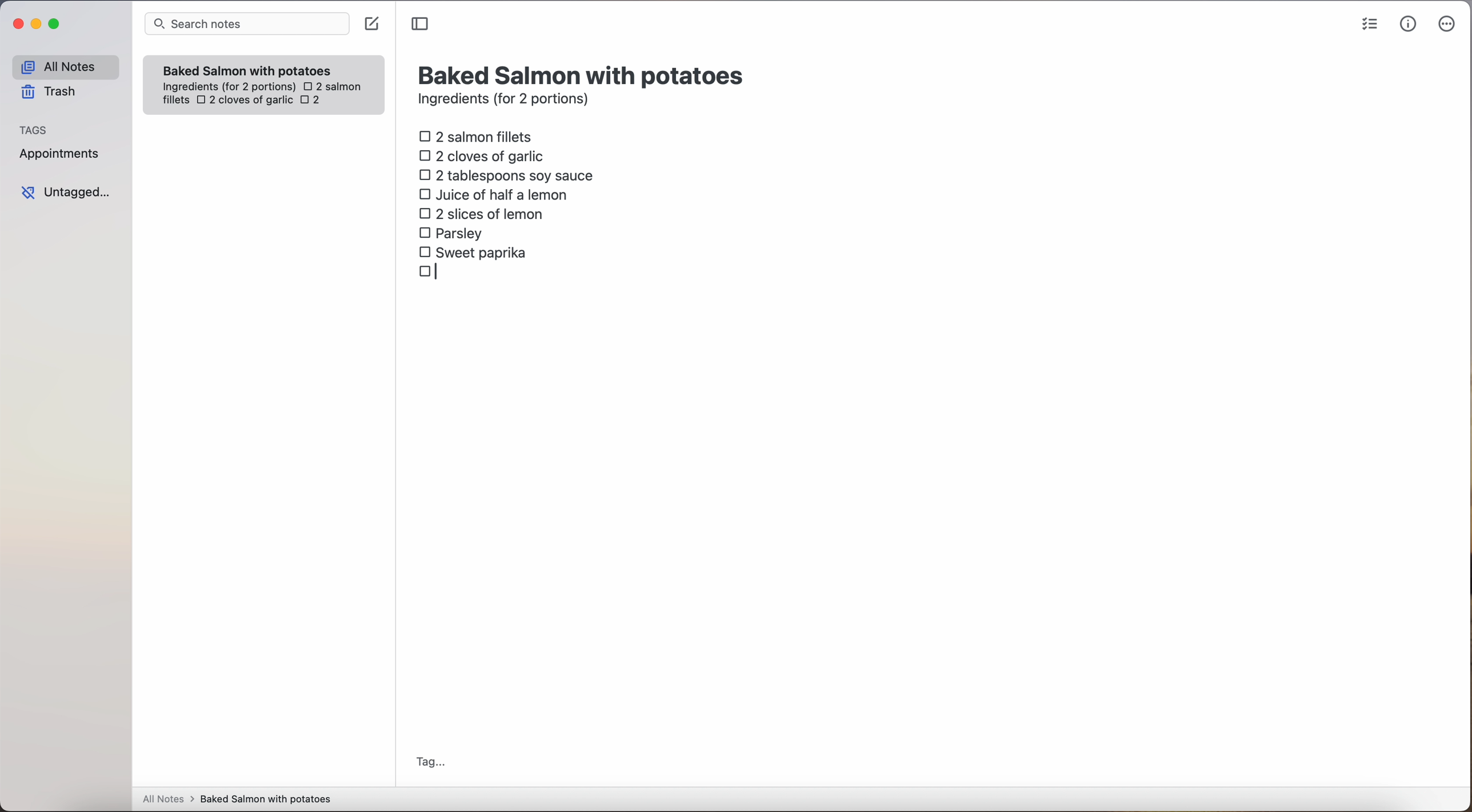  Describe the element at coordinates (56, 23) in the screenshot. I see `maximize` at that location.